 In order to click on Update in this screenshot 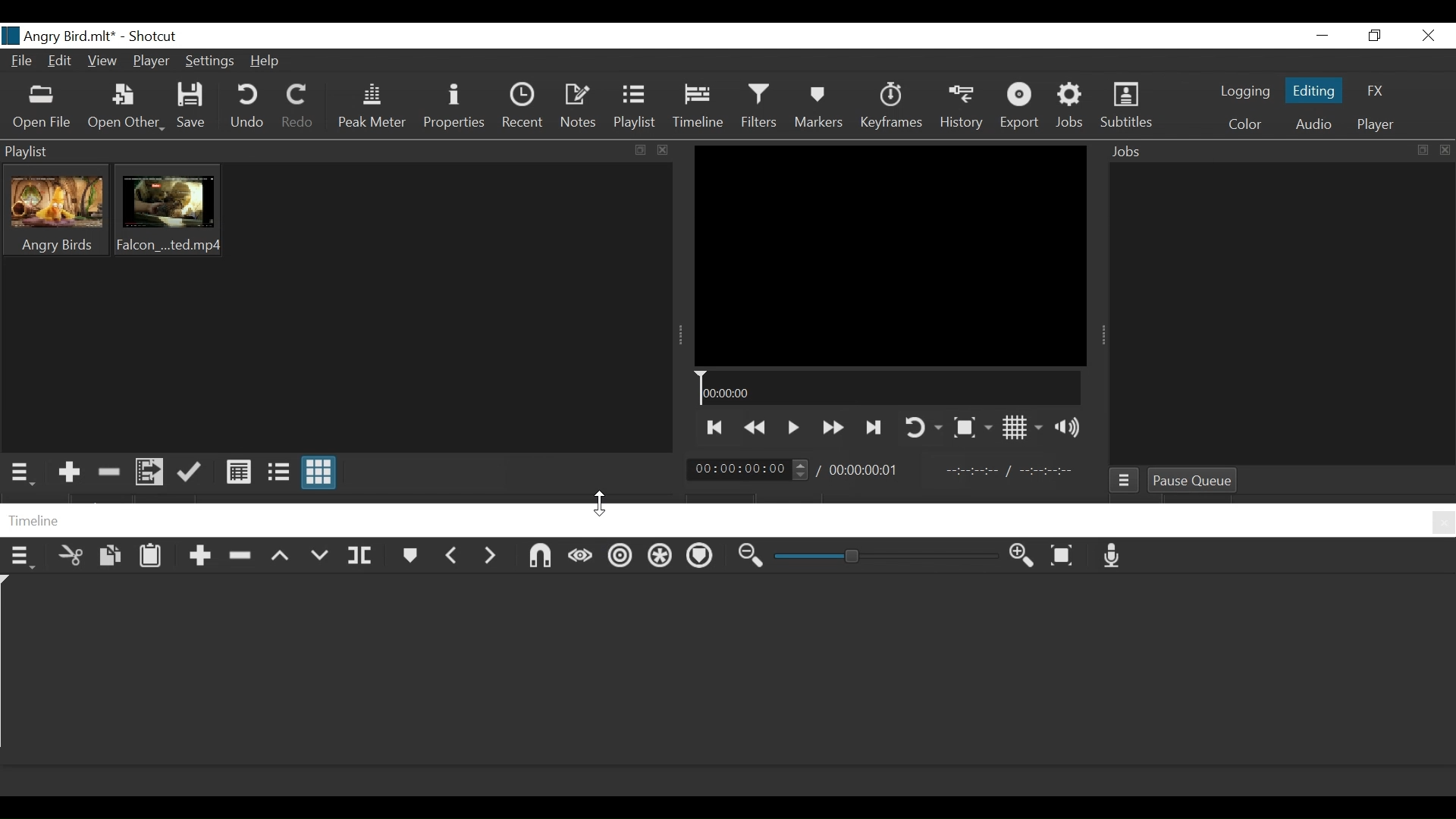, I will do `click(190, 472)`.